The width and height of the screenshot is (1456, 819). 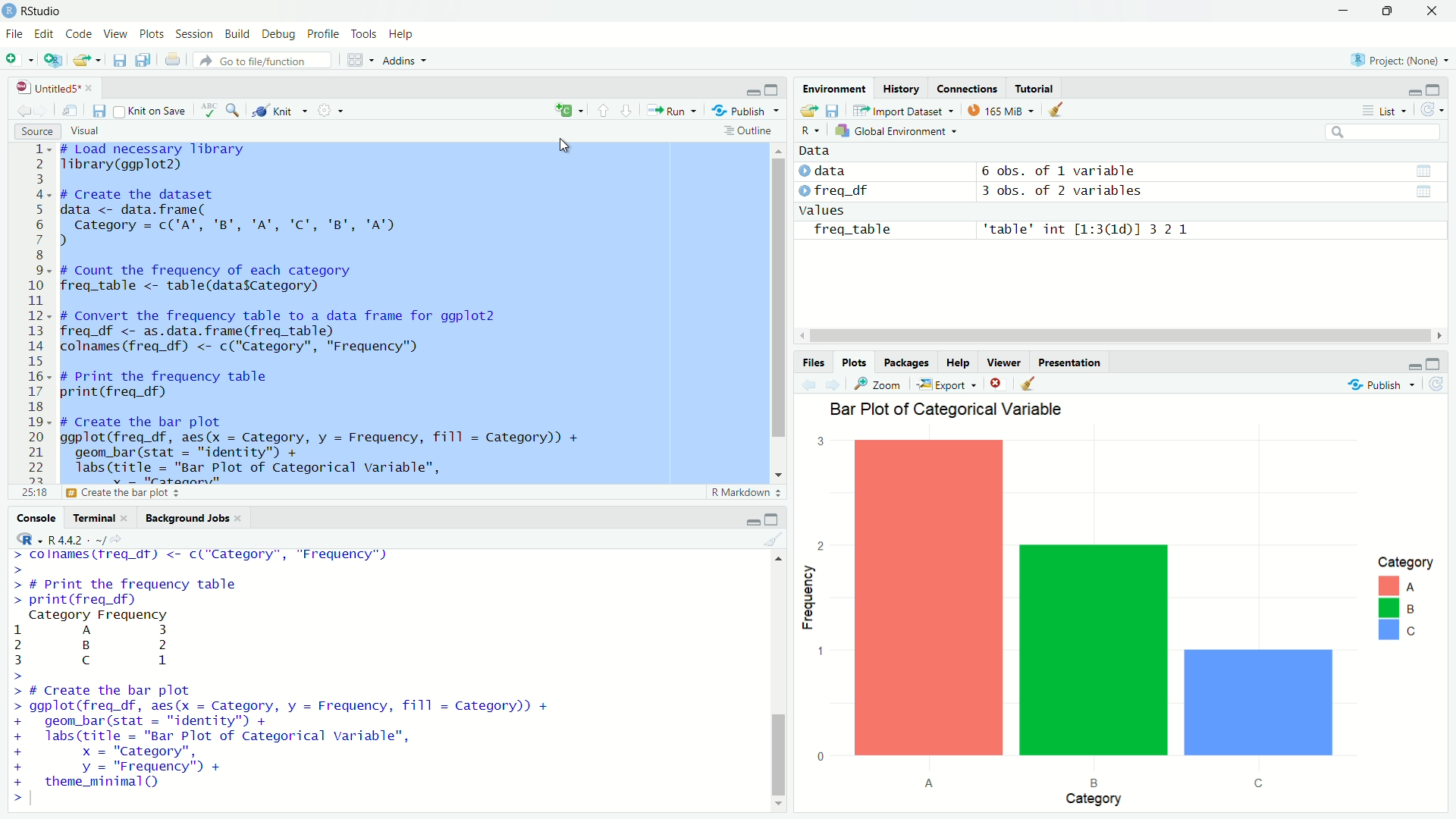 I want to click on open file, so click(x=87, y=60).